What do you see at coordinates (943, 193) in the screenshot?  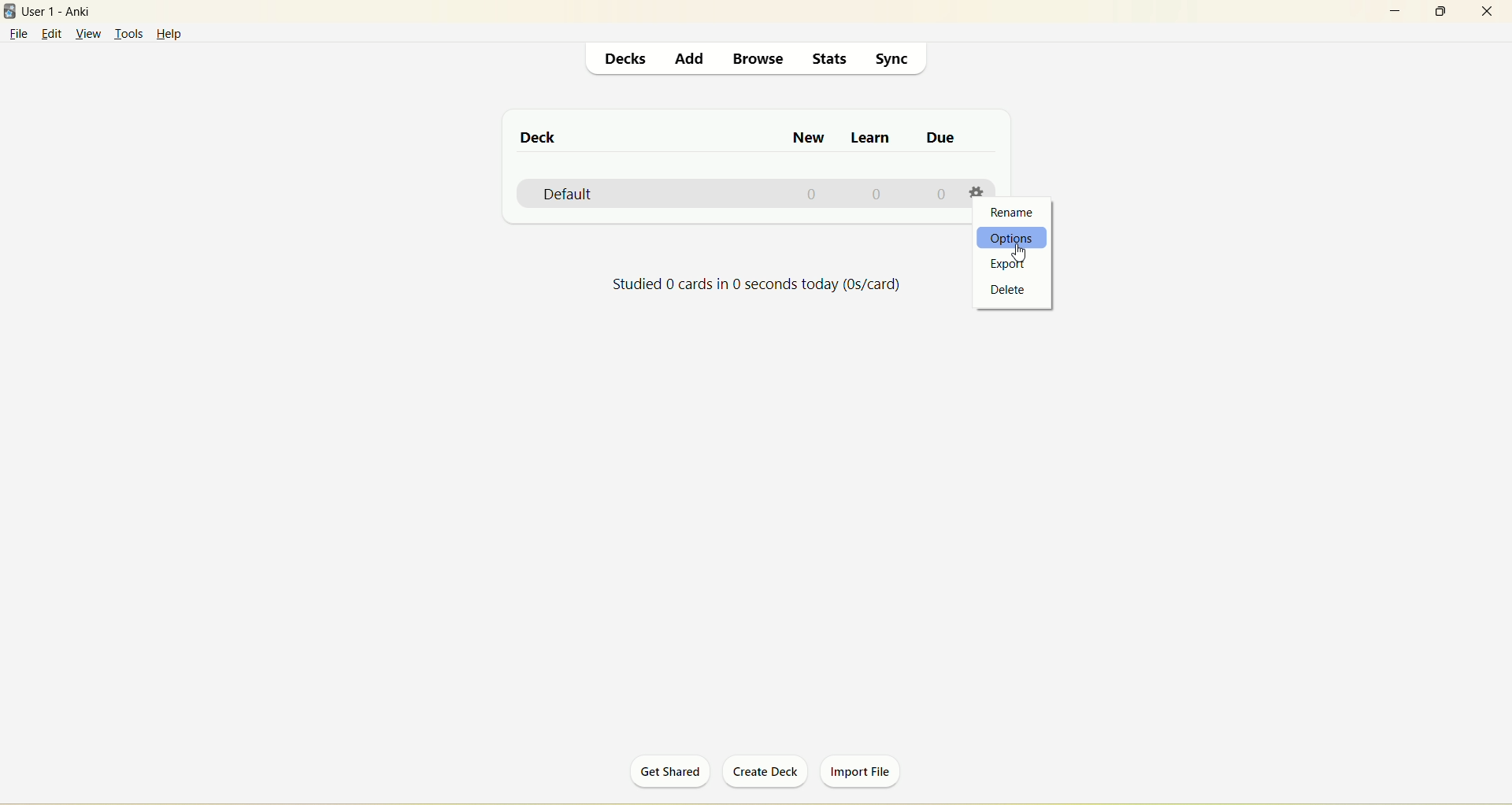 I see `0` at bounding box center [943, 193].